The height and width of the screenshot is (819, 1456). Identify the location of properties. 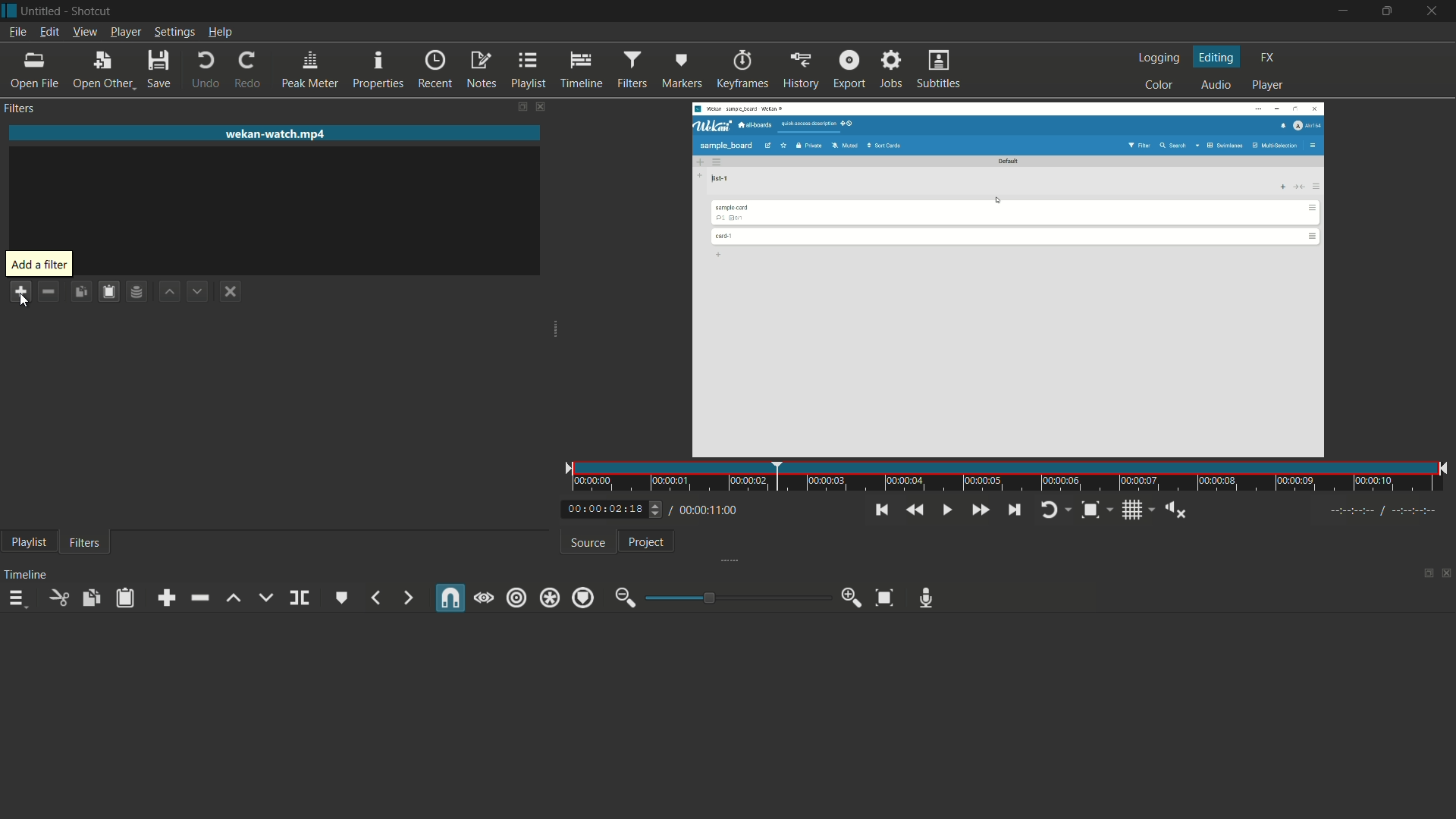
(378, 70).